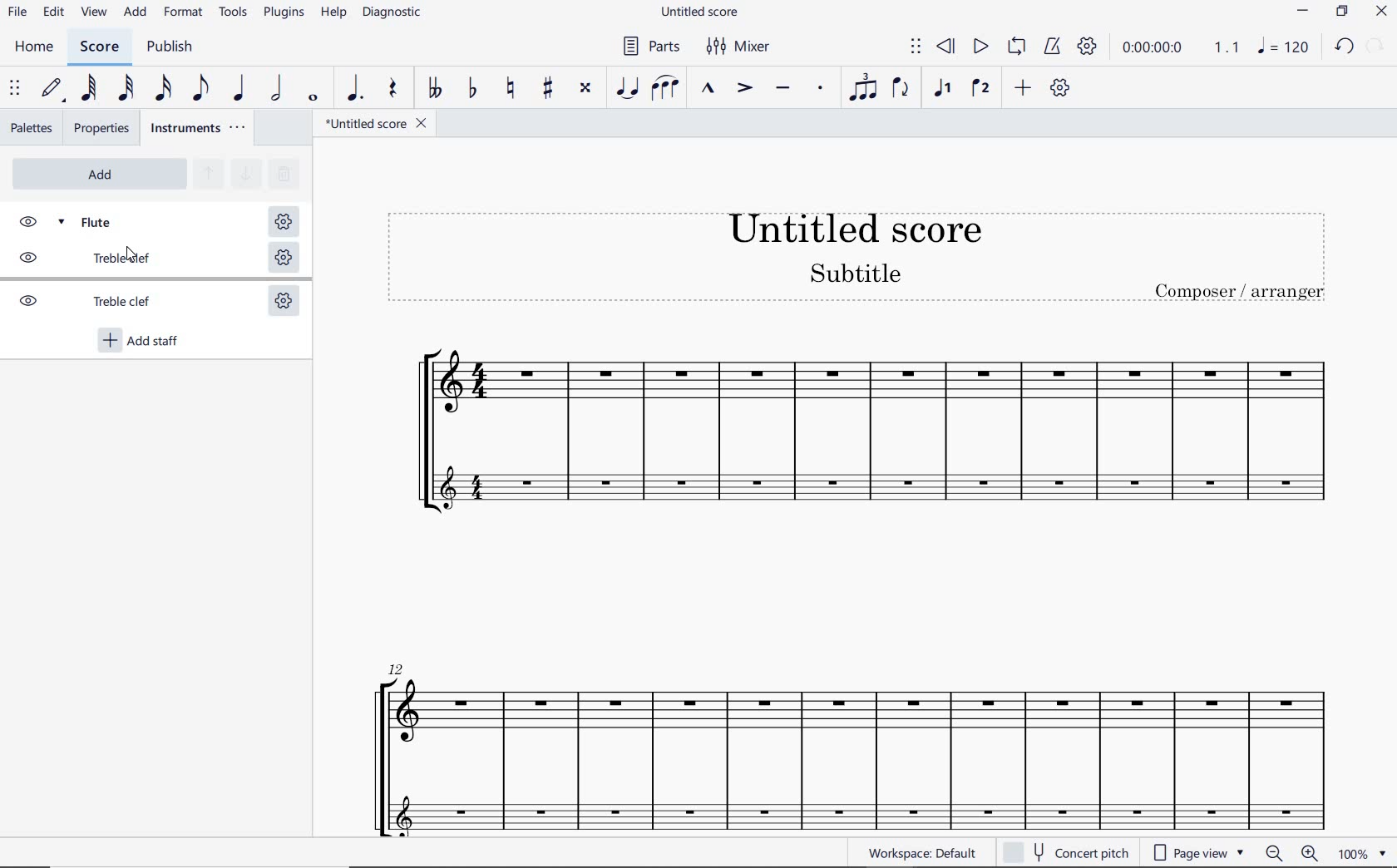 This screenshot has height=868, width=1397. I want to click on minimize, so click(1302, 11).